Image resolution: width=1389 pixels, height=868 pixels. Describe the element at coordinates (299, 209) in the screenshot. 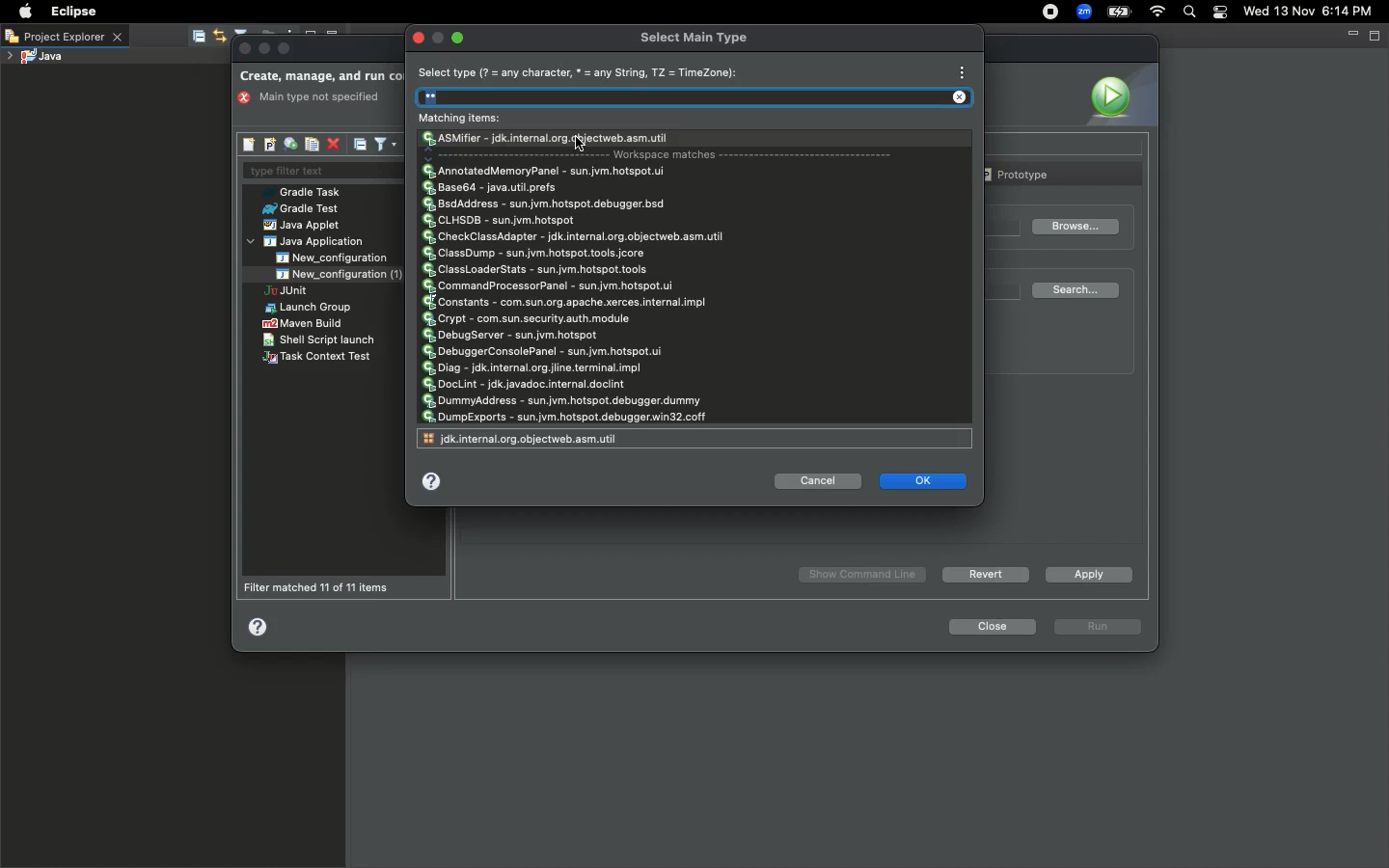

I see `Grade test` at that location.